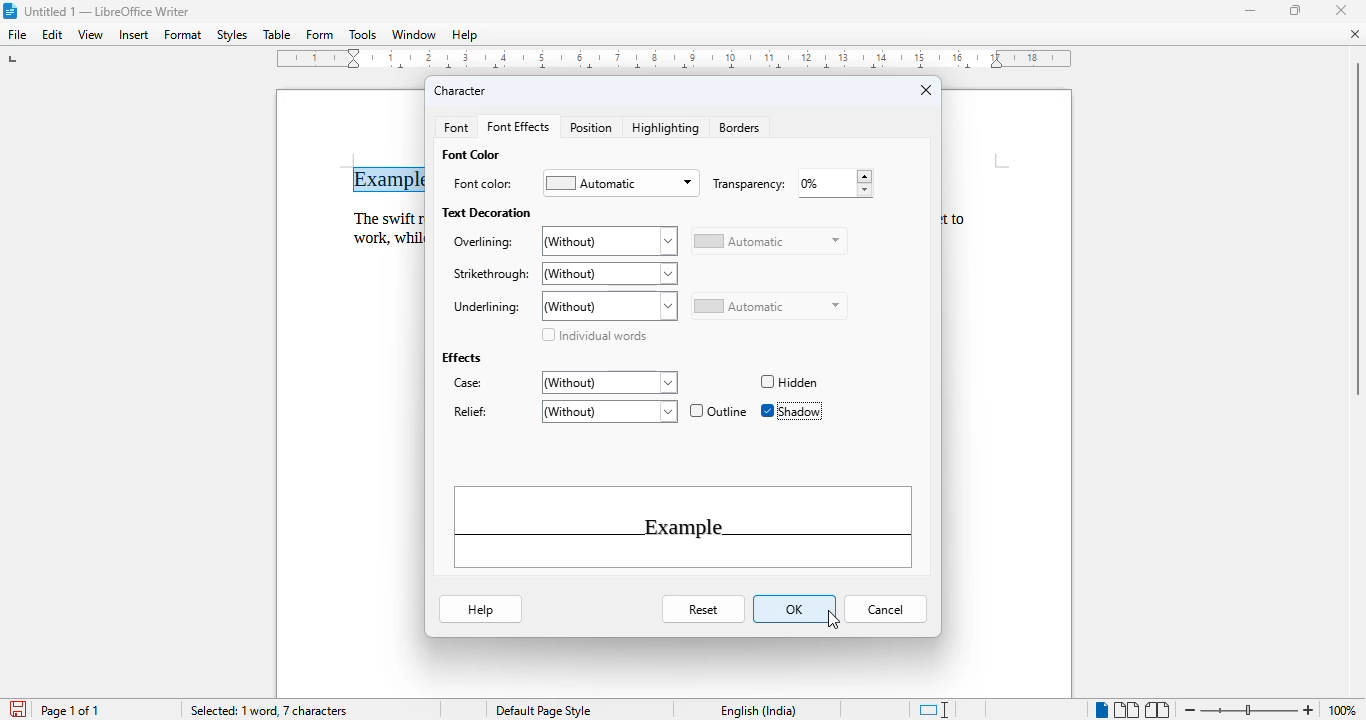 This screenshot has height=720, width=1366. I want to click on view, so click(91, 35).